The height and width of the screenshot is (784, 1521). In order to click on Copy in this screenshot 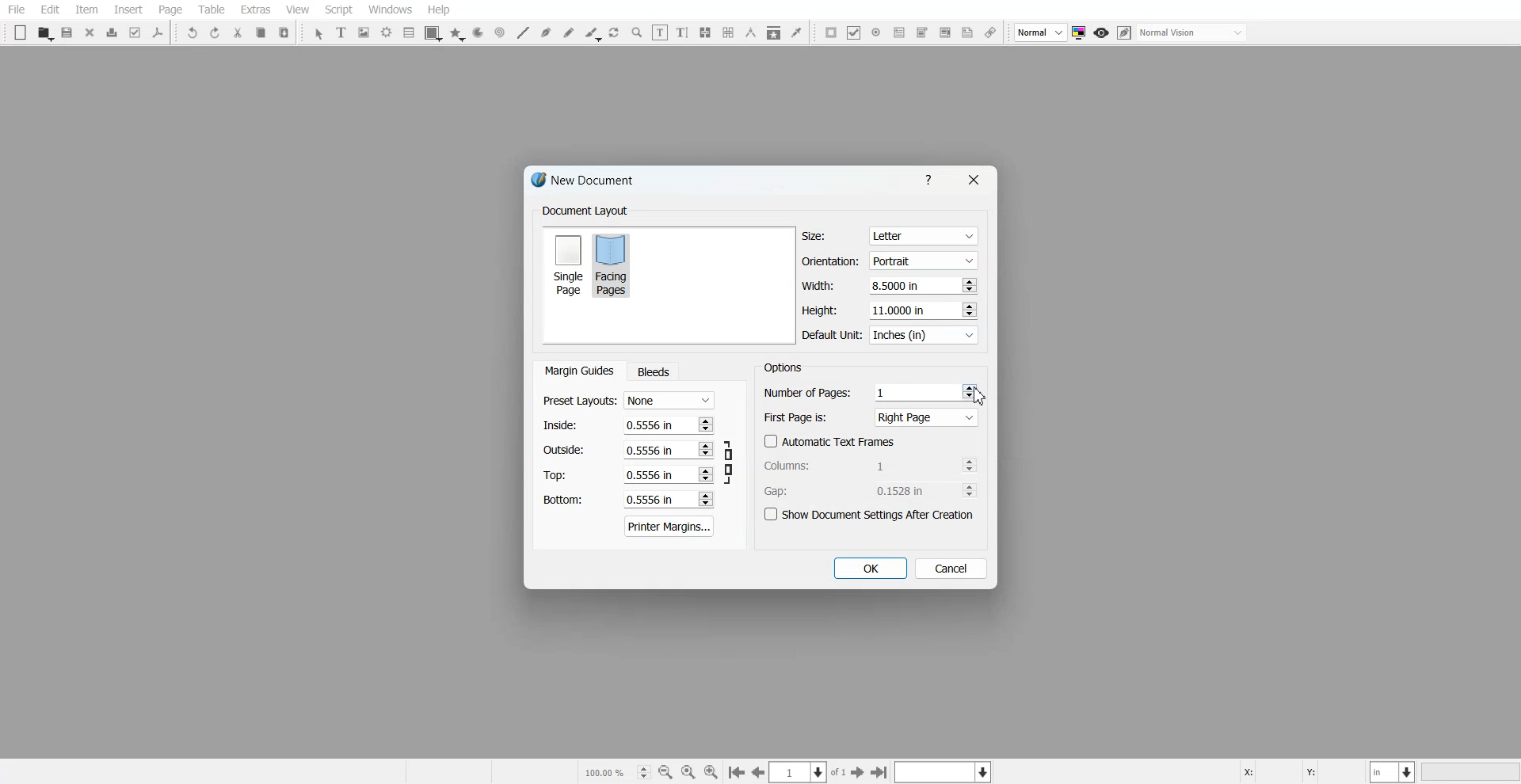, I will do `click(260, 32)`.